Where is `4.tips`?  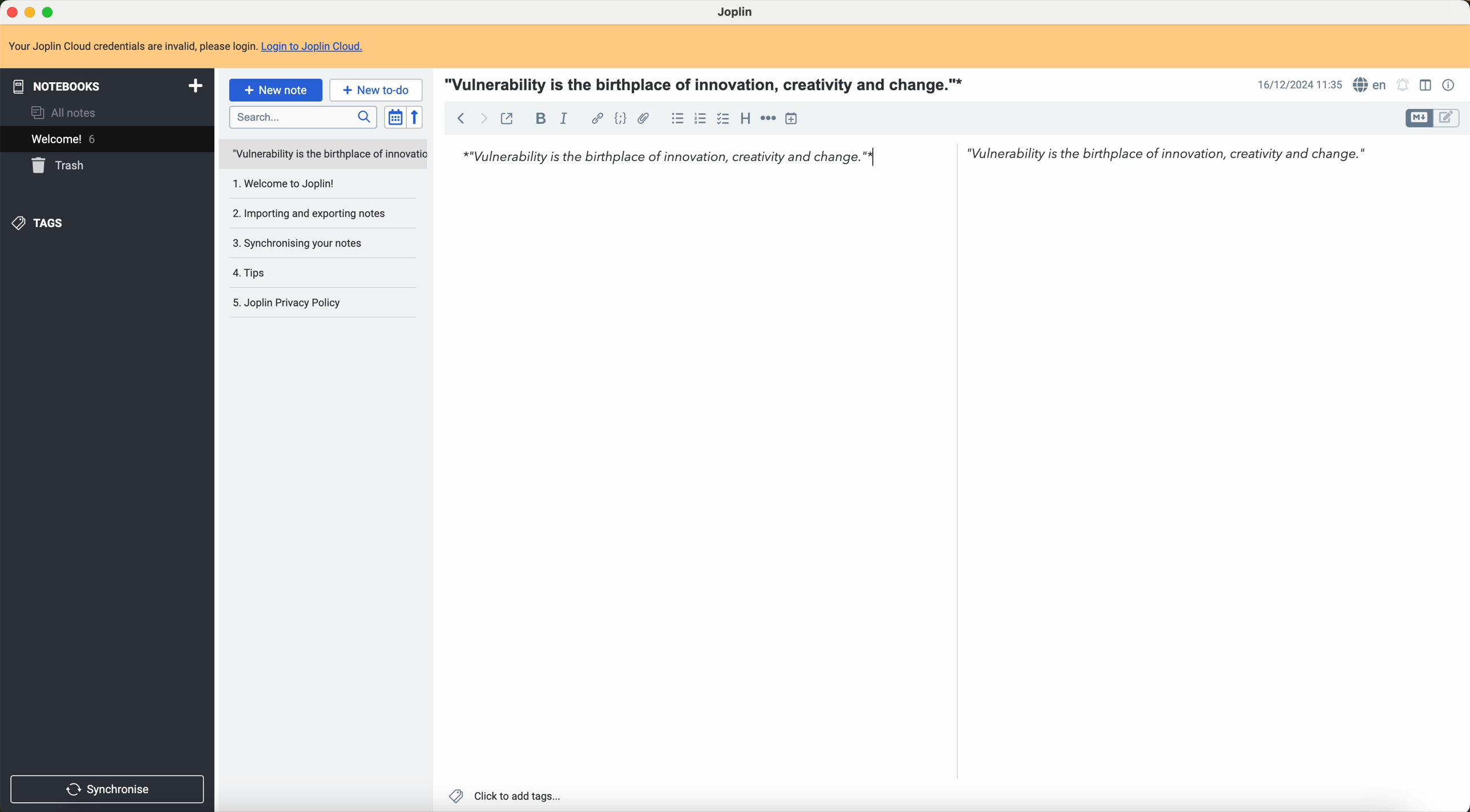 4.tips is located at coordinates (253, 273).